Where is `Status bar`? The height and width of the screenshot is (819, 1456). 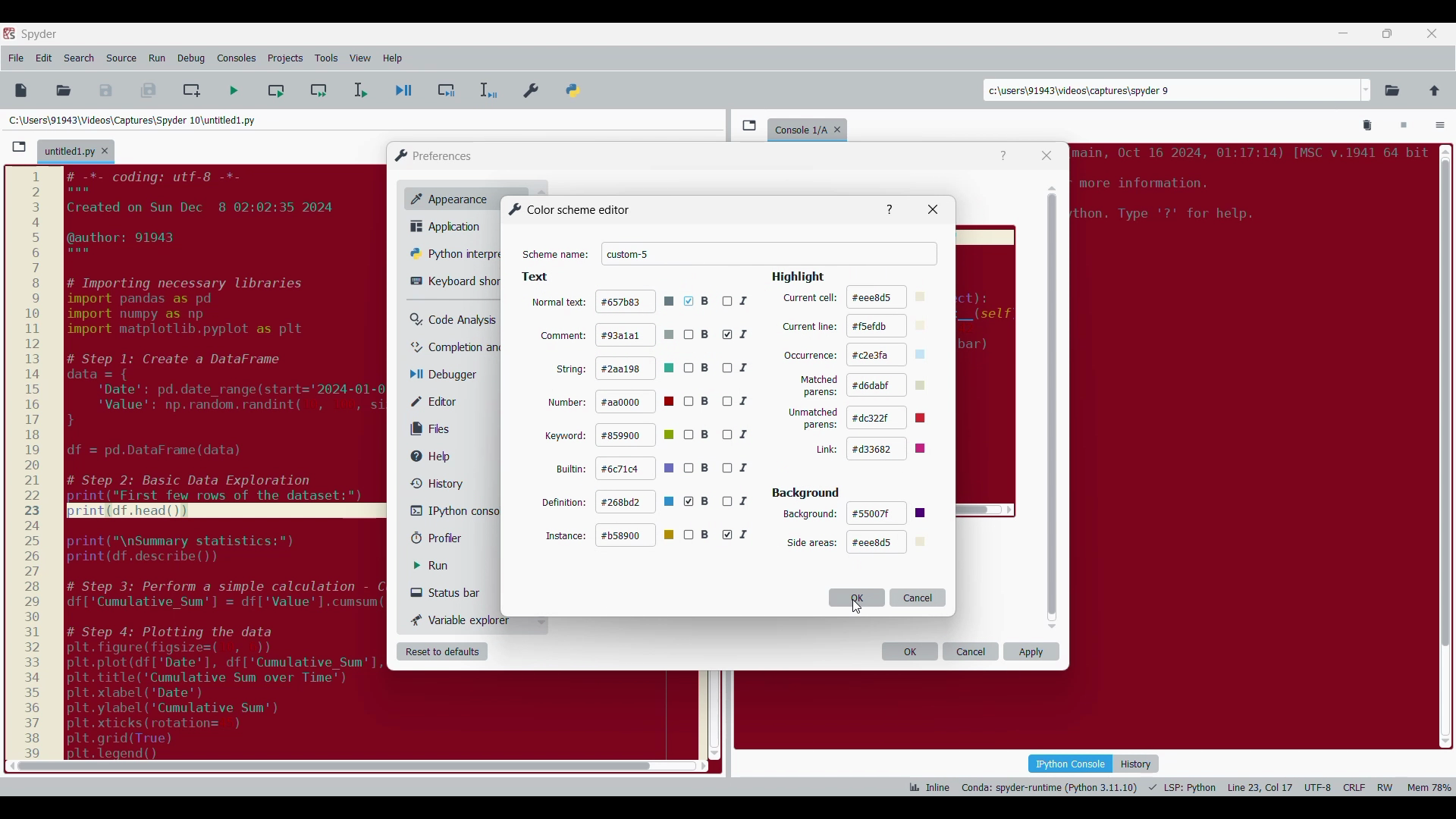 Status bar is located at coordinates (451, 592).